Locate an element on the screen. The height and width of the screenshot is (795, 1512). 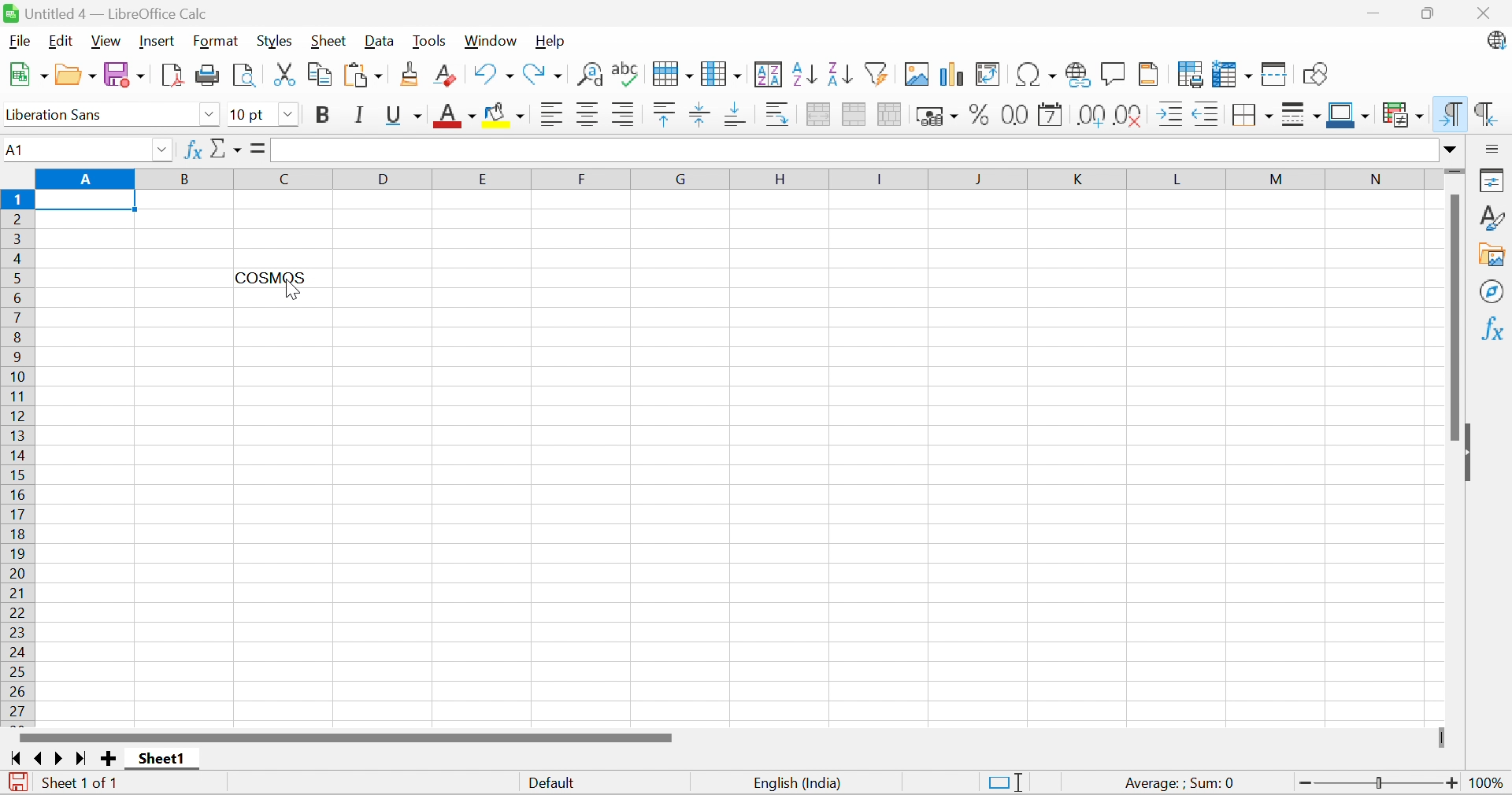
Slider is located at coordinates (1453, 173).